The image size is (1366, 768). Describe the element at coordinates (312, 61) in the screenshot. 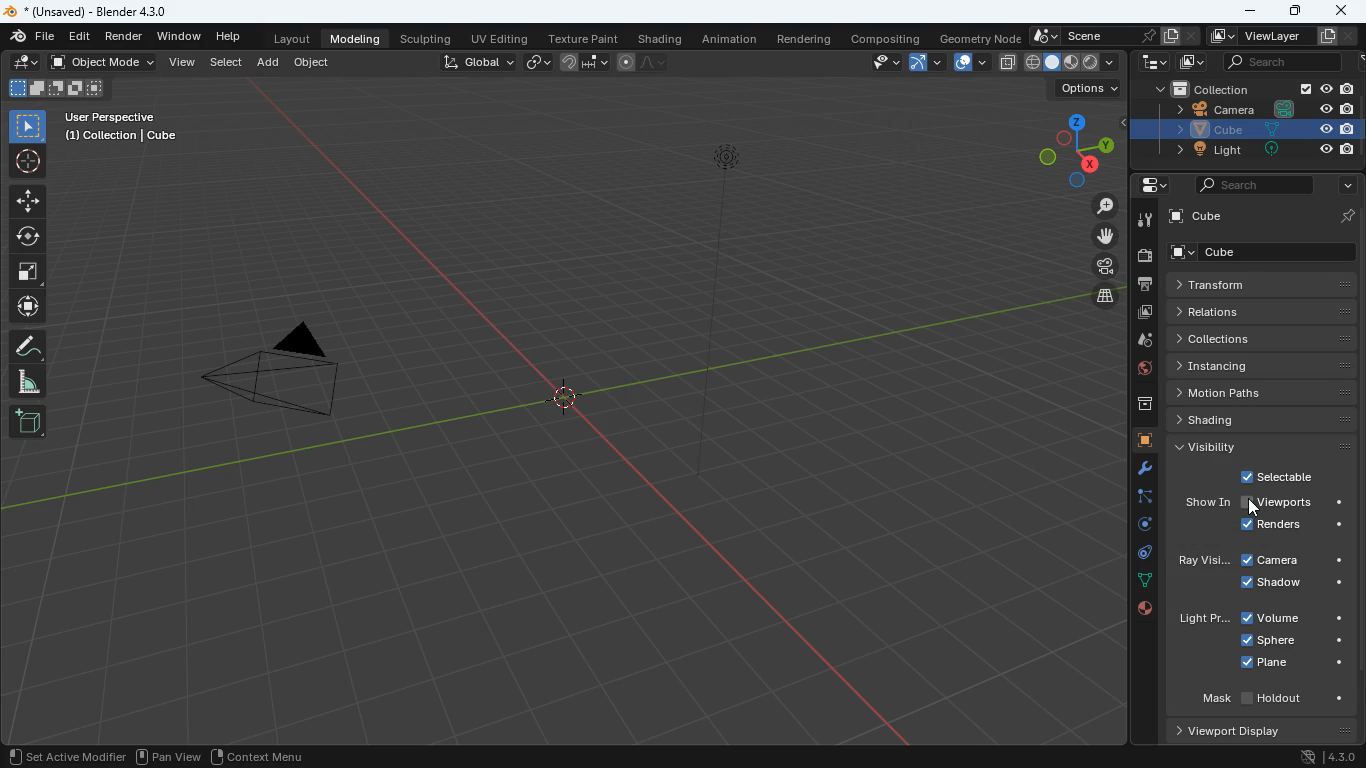

I see `object` at that location.